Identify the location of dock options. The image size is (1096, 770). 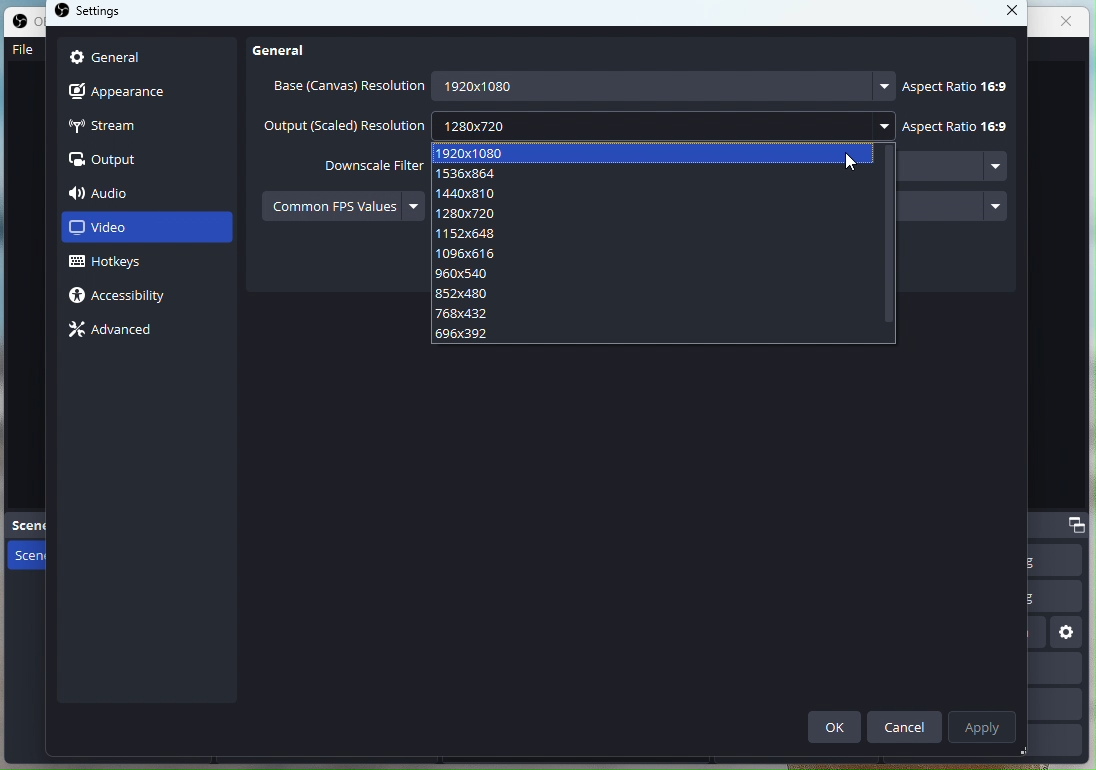
(1078, 524).